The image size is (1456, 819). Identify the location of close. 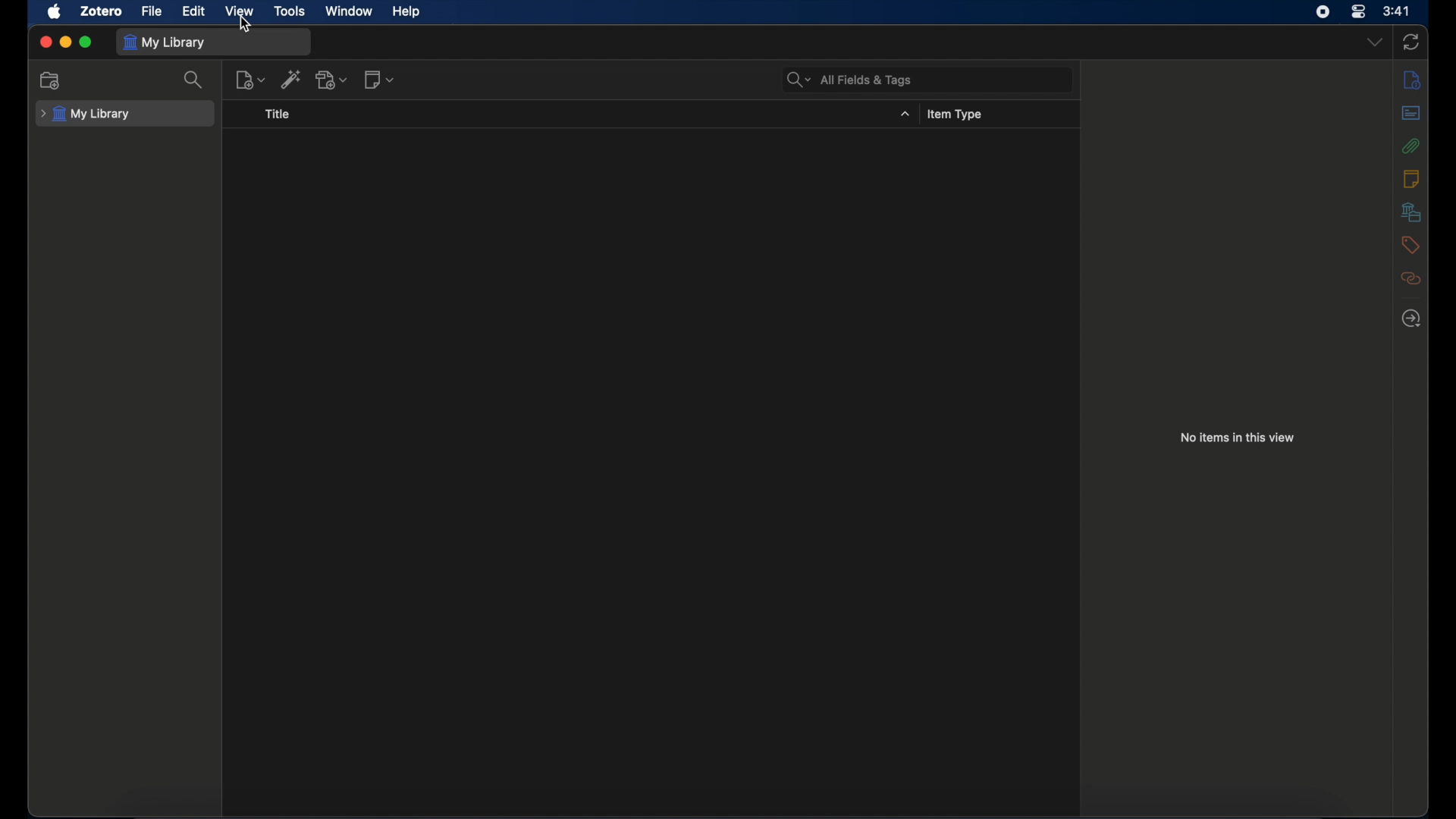
(45, 42).